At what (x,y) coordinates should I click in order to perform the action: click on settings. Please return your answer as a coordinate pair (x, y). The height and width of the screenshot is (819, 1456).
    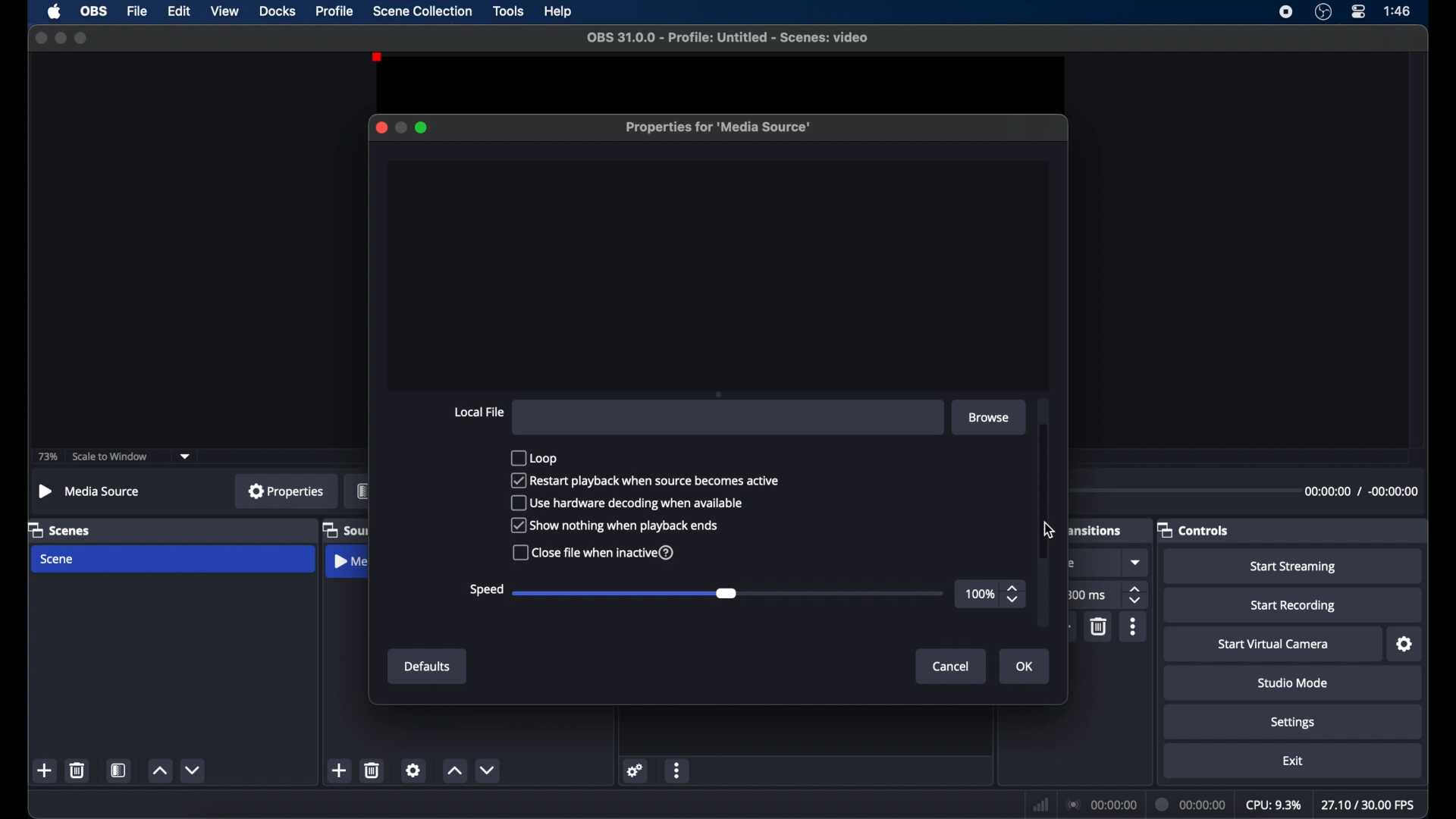
    Looking at the image, I should click on (636, 770).